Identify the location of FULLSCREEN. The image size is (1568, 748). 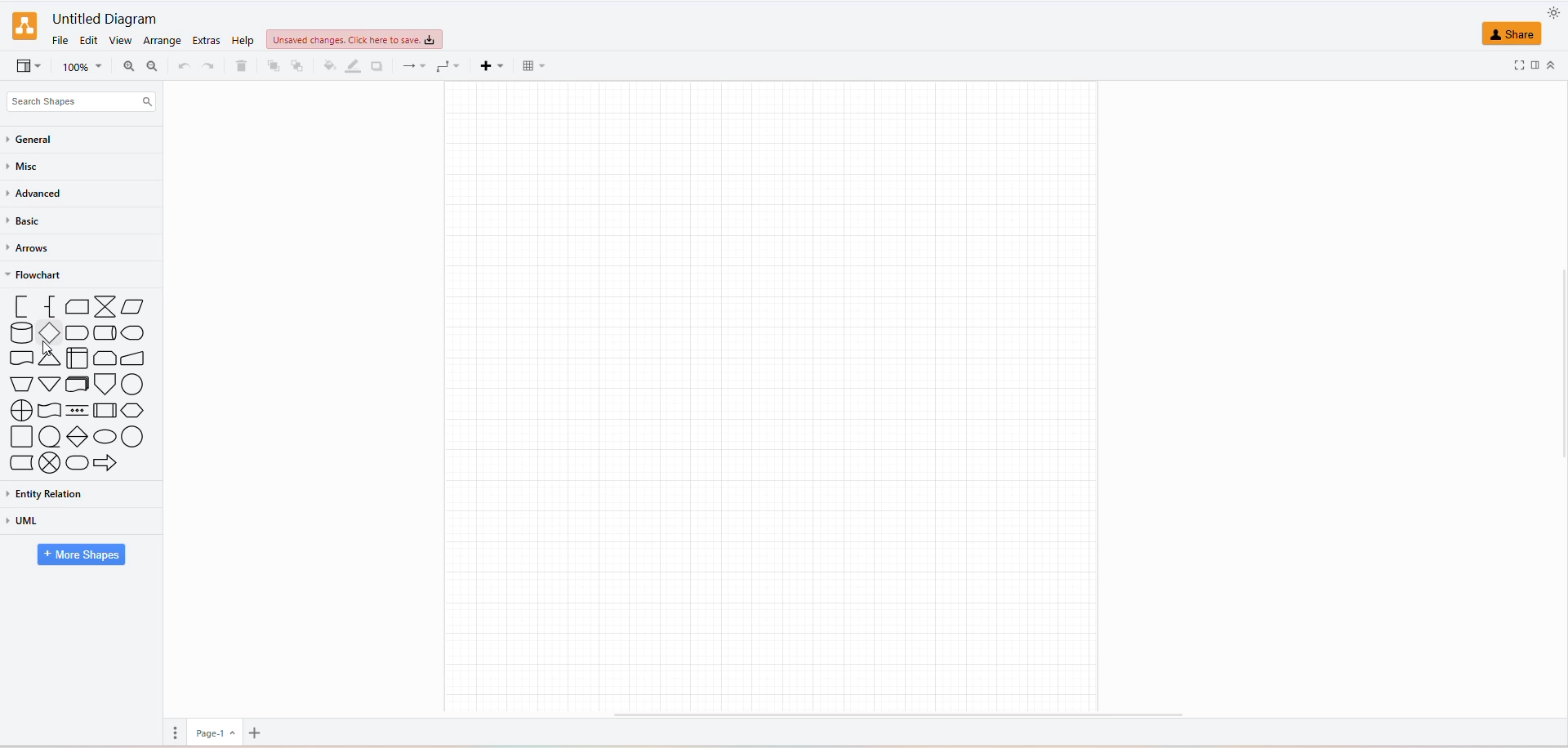
(1506, 67).